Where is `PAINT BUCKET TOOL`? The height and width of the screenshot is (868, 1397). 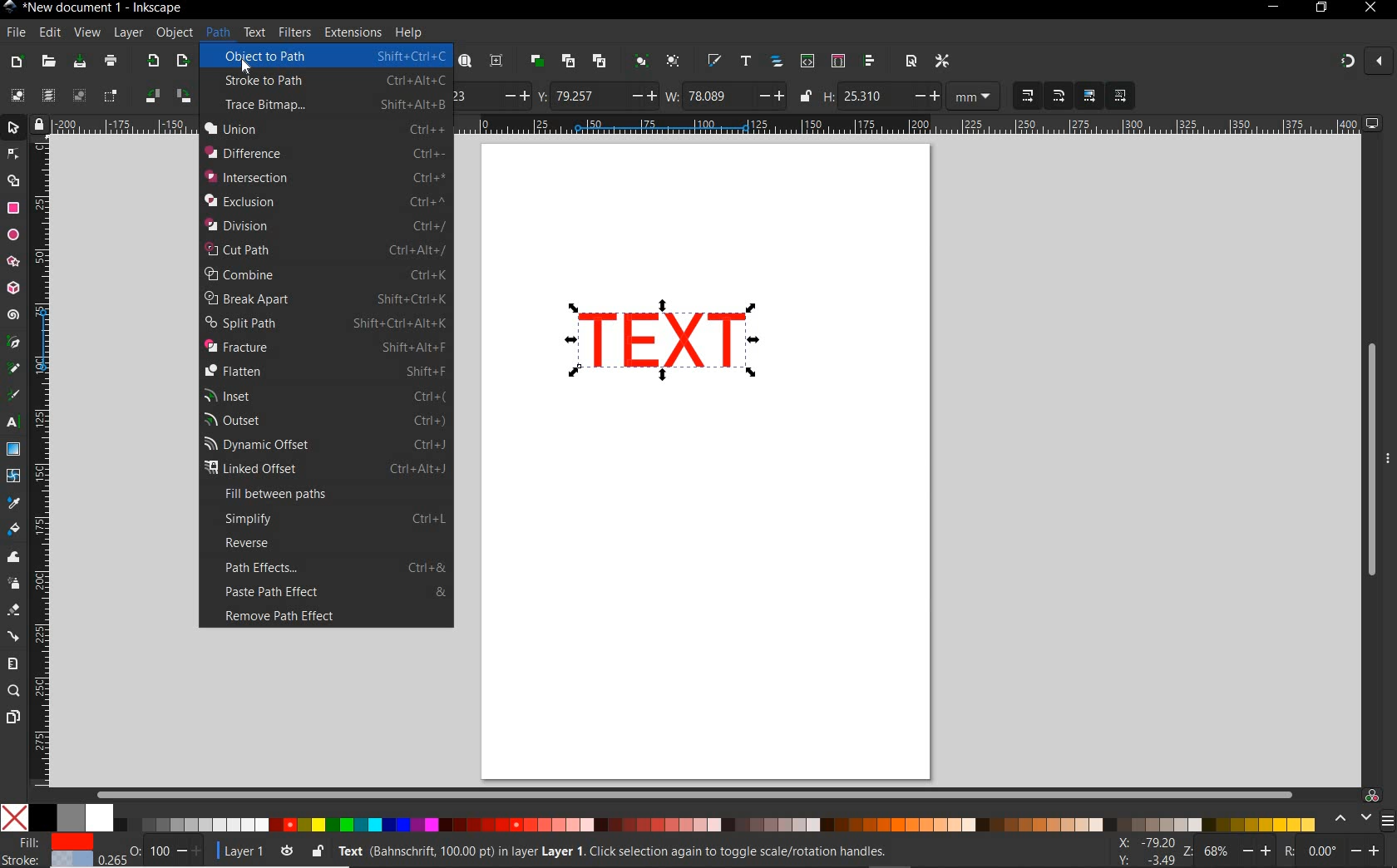 PAINT BUCKET TOOL is located at coordinates (13, 530).